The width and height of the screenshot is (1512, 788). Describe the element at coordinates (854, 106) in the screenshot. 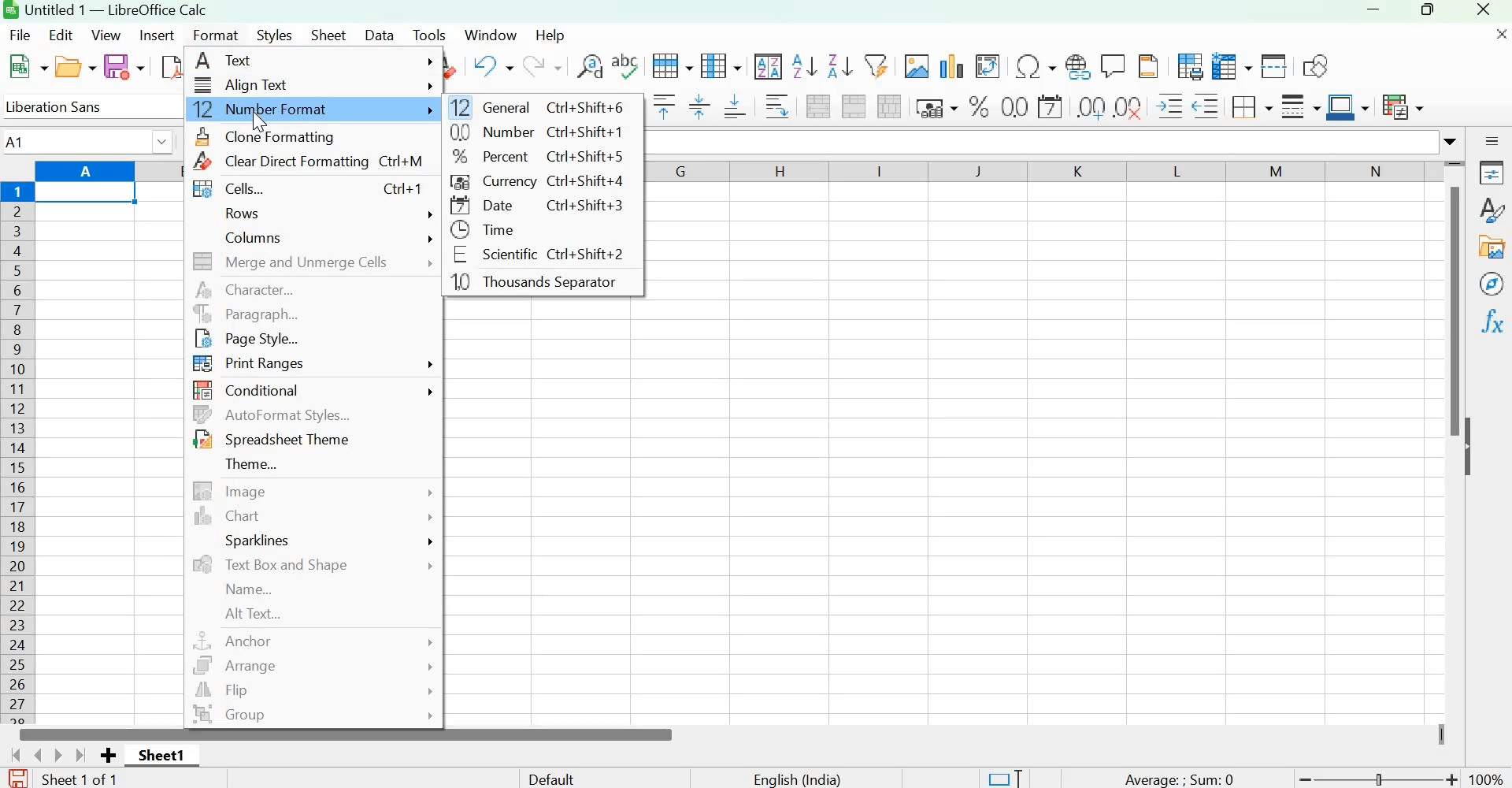

I see `Merge cells` at that location.